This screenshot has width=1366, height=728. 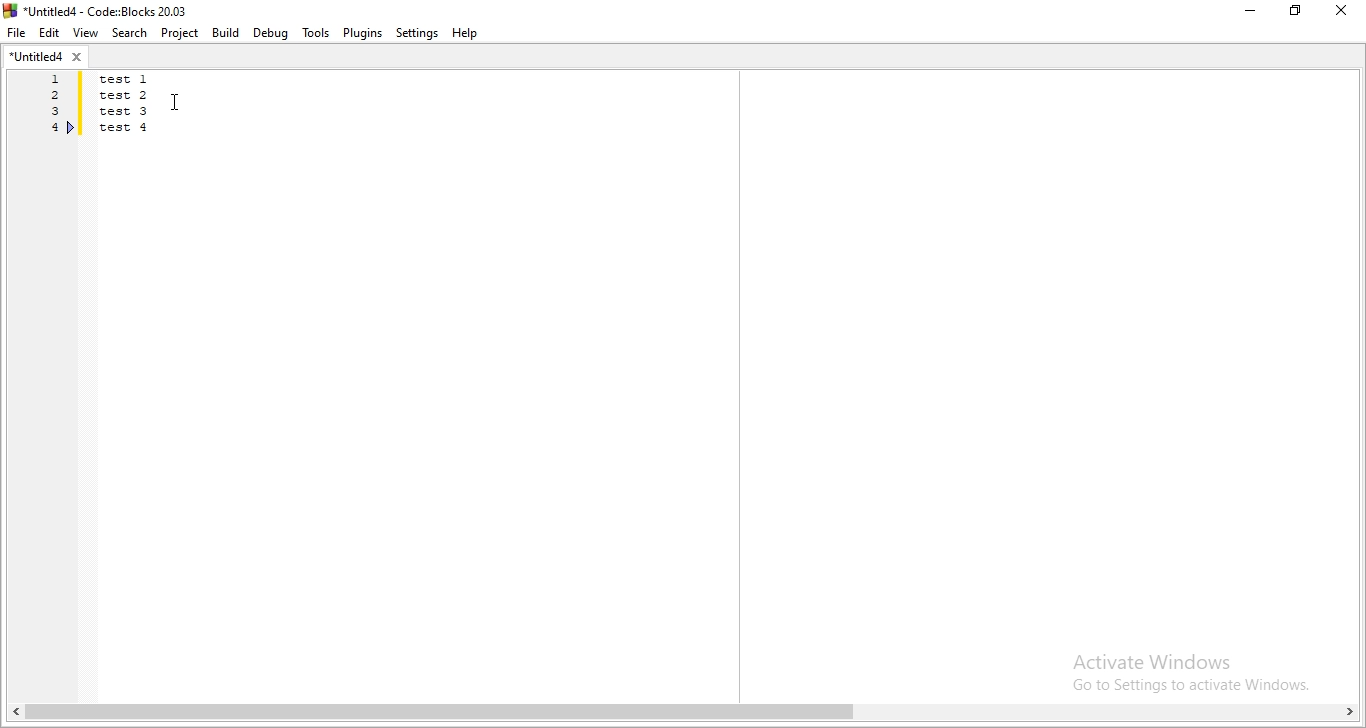 What do you see at coordinates (17, 34) in the screenshot?
I see `File` at bounding box center [17, 34].